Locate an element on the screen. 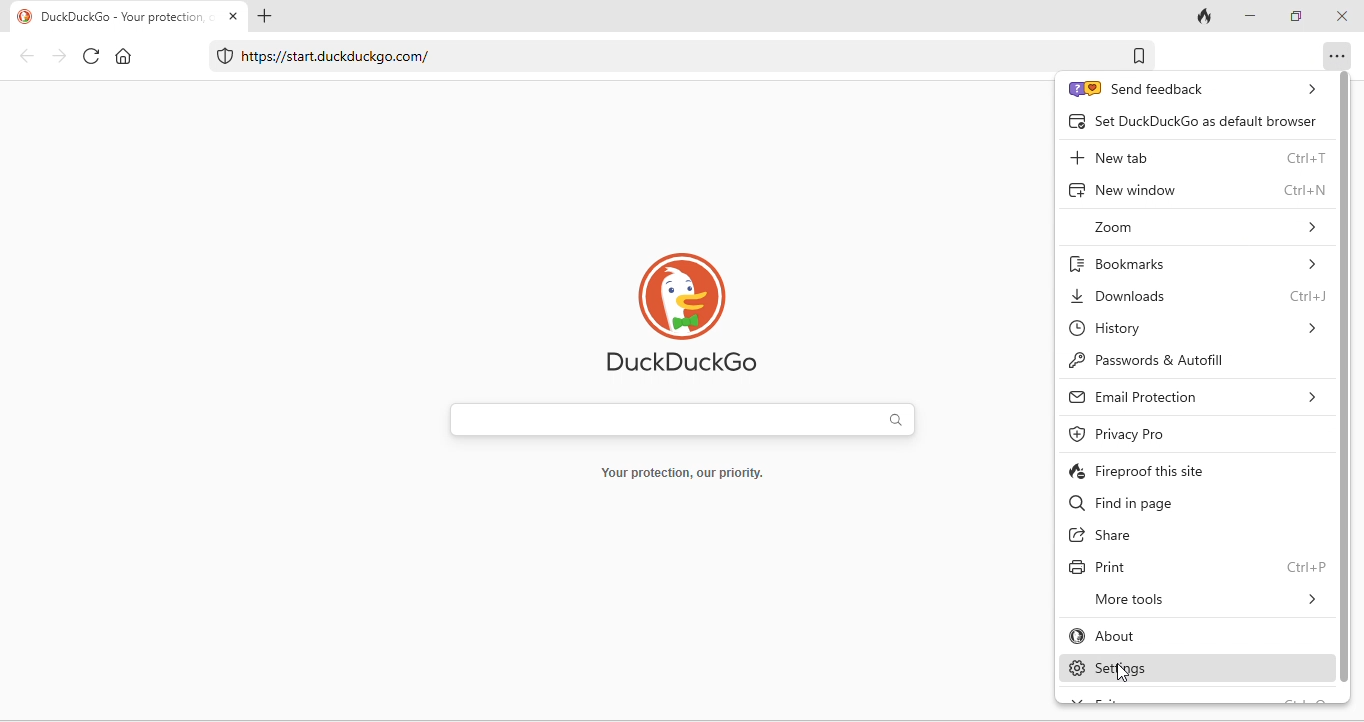  bookmarks is located at coordinates (1199, 262).